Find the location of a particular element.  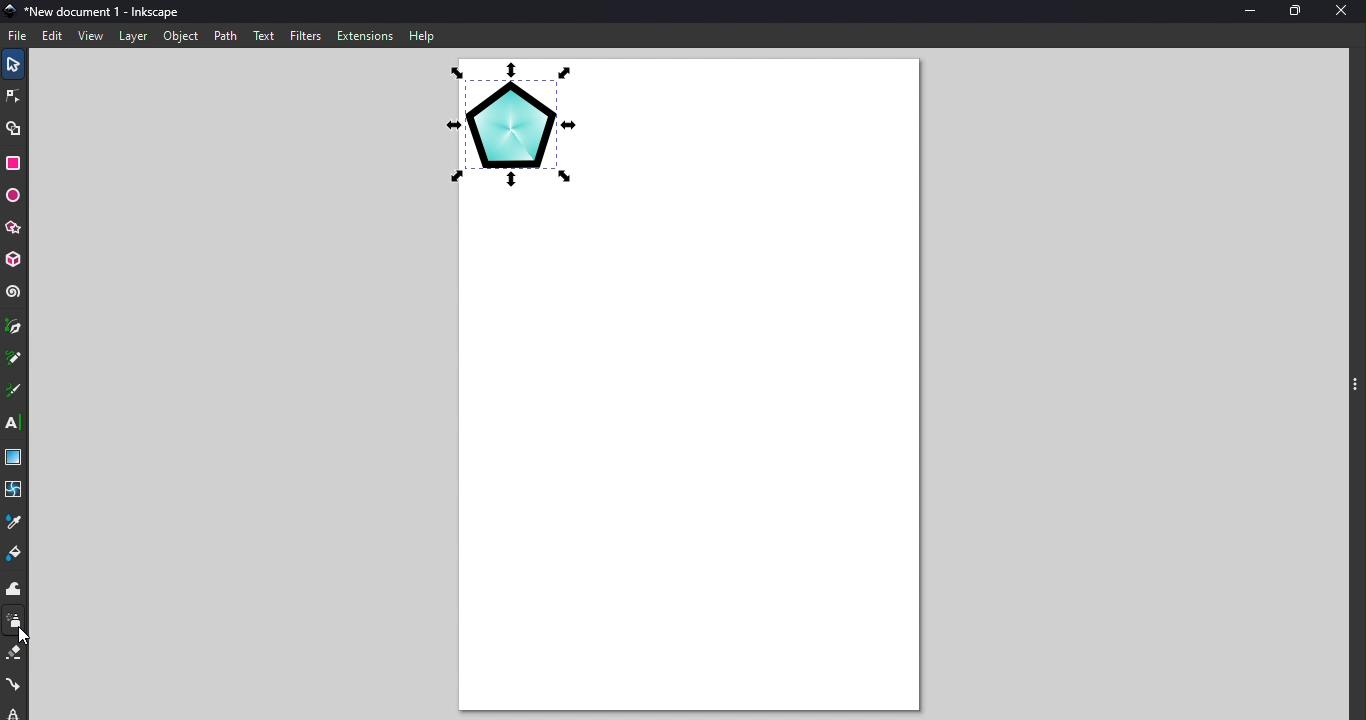

Connector tool is located at coordinates (16, 682).